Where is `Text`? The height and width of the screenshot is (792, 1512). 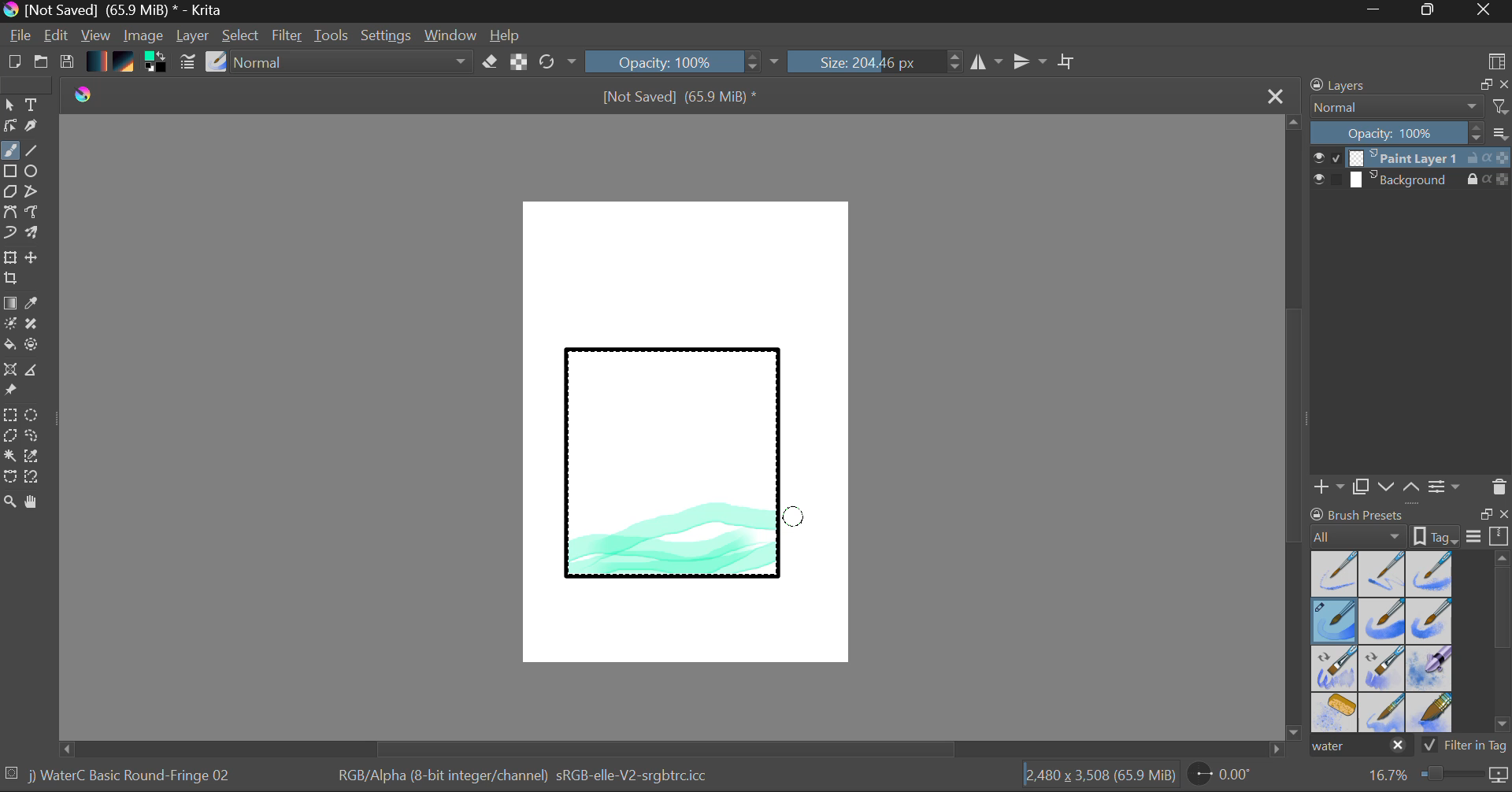 Text is located at coordinates (32, 103).